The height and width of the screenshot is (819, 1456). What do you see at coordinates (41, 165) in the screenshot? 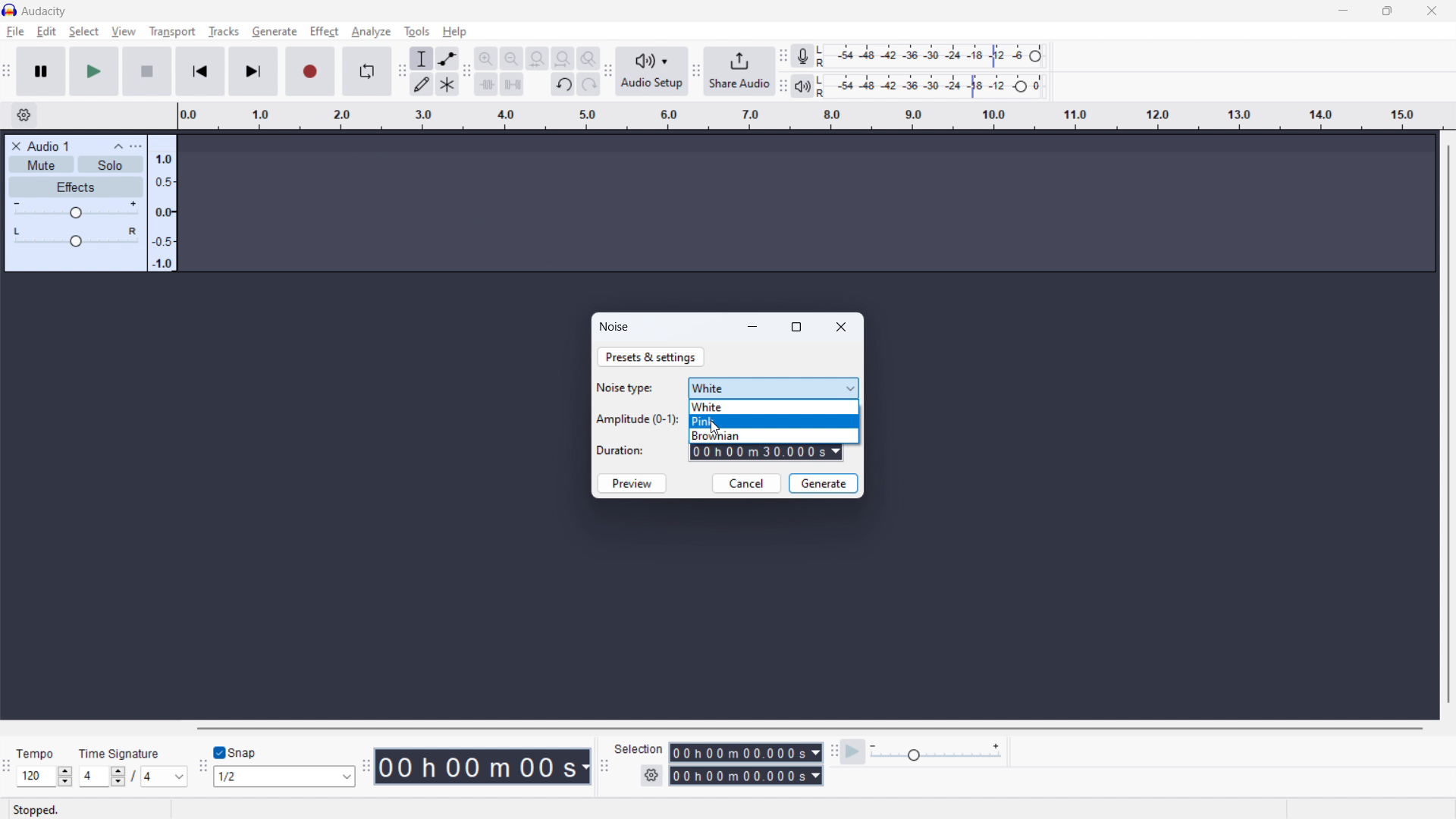
I see `mute` at bounding box center [41, 165].